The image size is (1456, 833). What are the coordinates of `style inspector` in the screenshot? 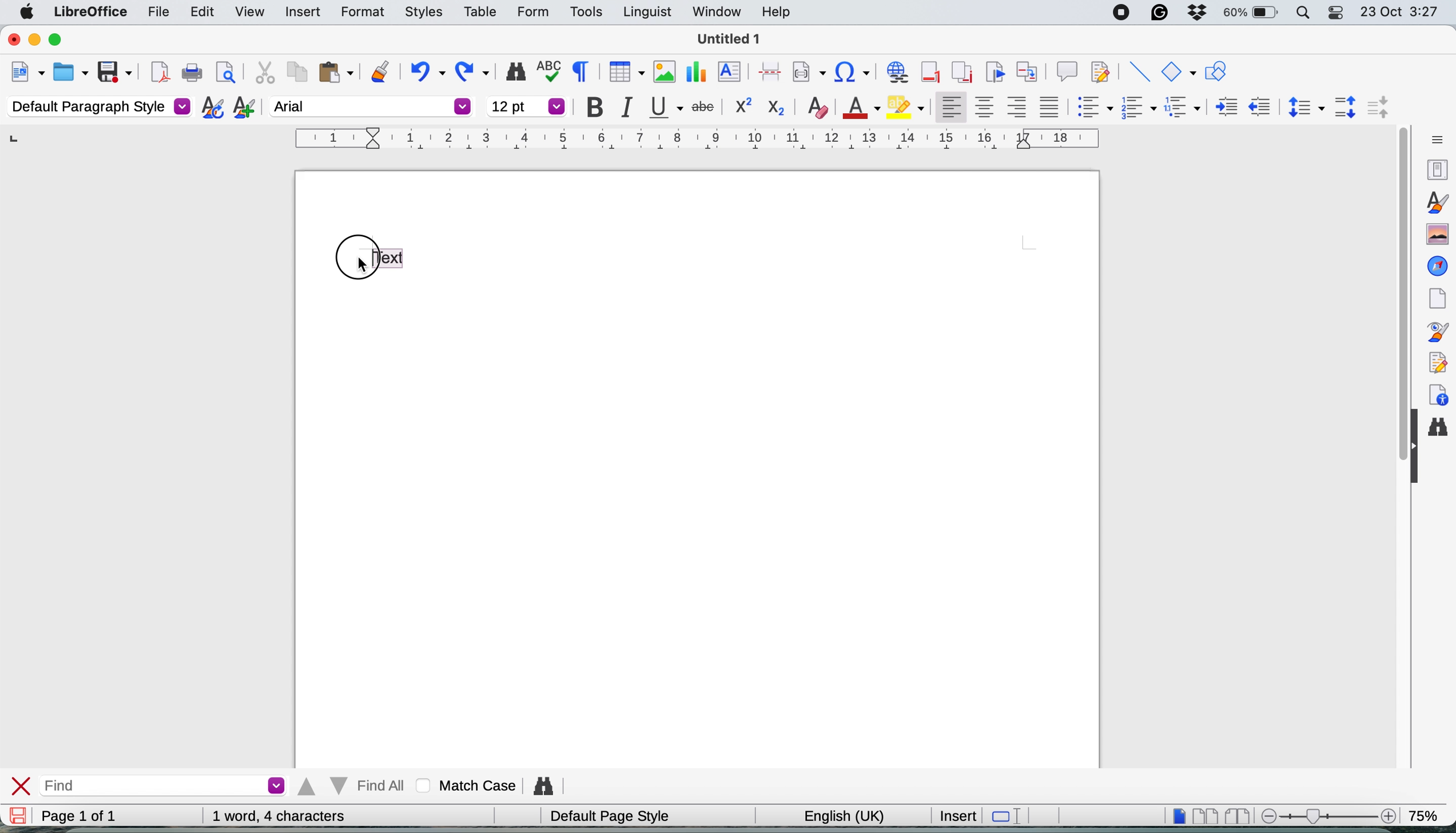 It's located at (1441, 332).